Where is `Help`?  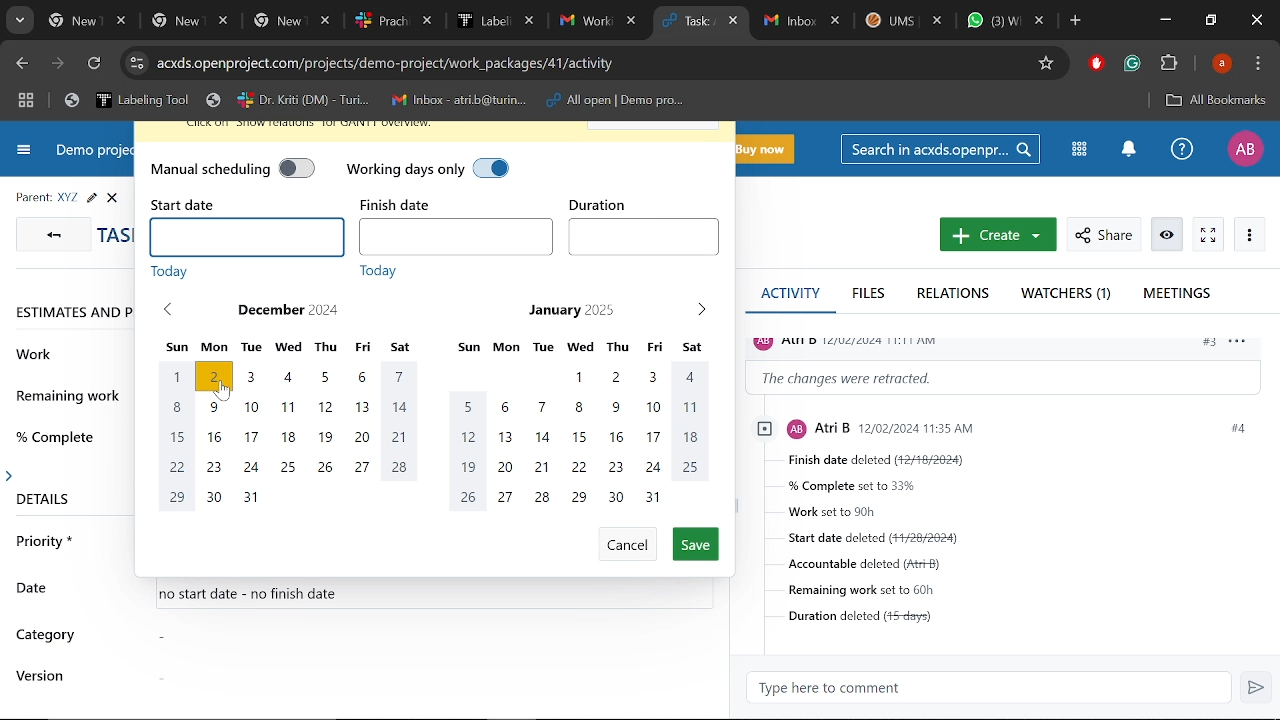 Help is located at coordinates (1179, 149).